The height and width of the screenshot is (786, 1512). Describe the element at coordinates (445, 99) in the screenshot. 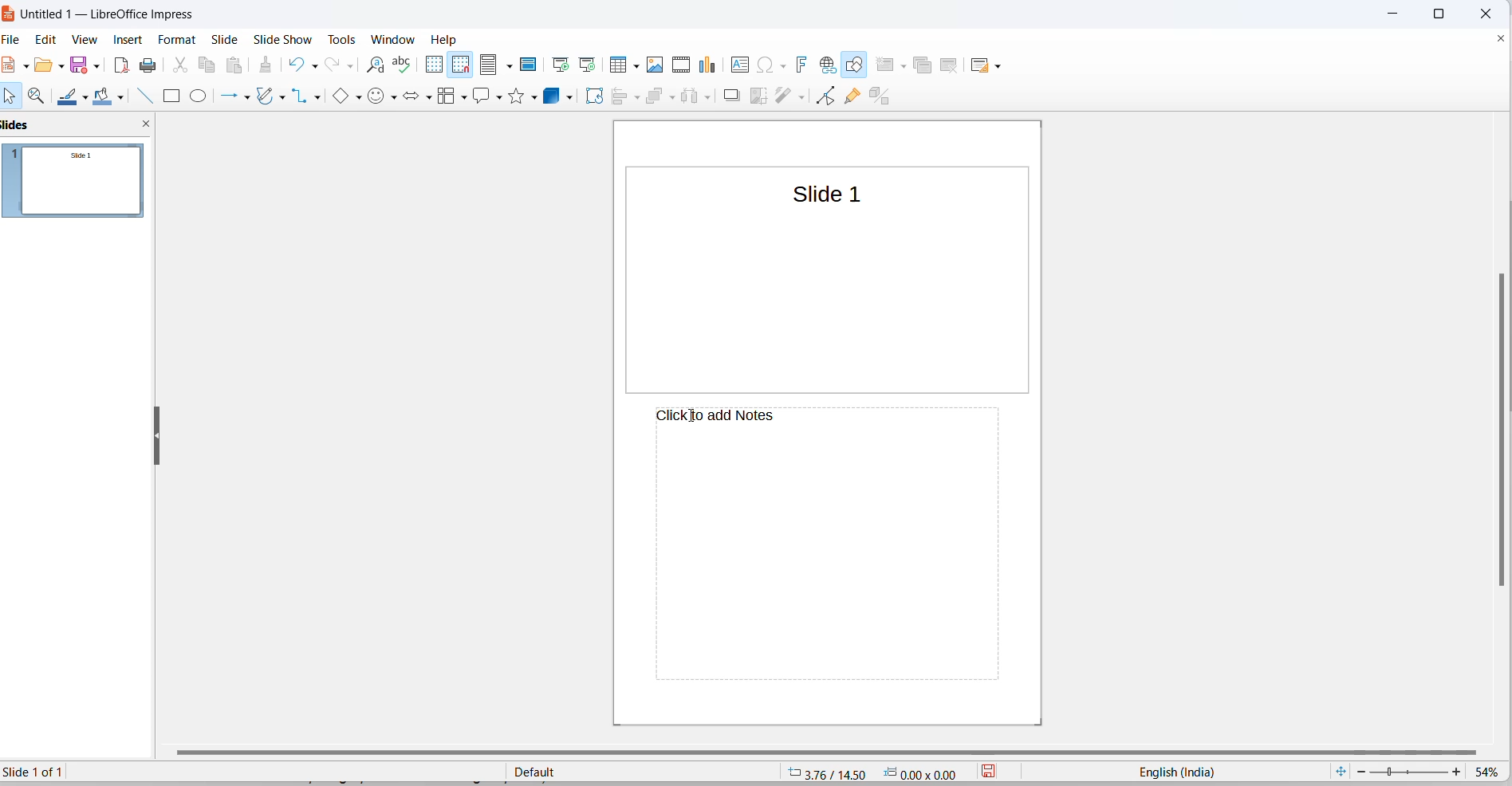

I see `flowcharts` at that location.